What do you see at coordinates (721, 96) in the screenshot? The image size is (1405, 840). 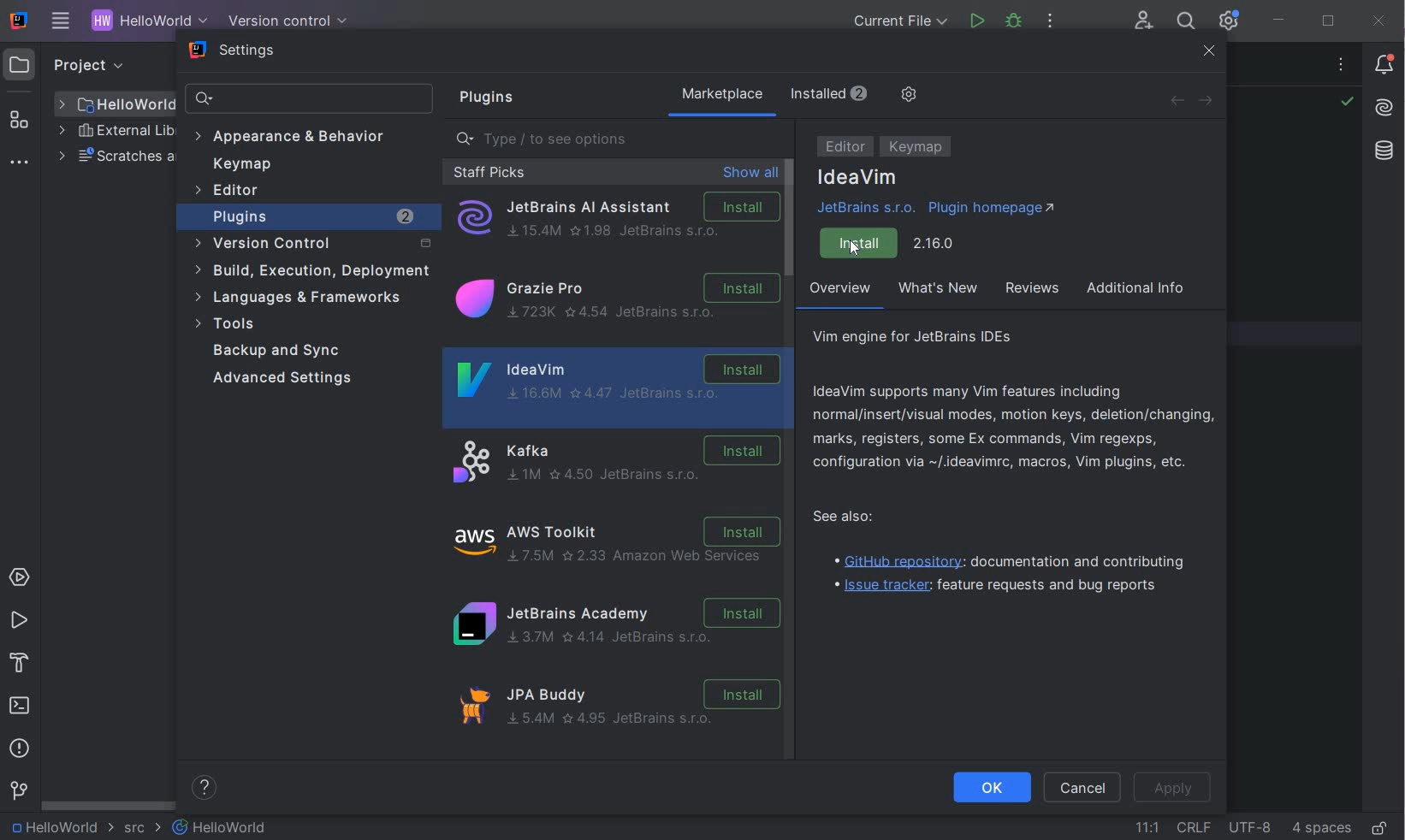 I see `marketplace` at bounding box center [721, 96].